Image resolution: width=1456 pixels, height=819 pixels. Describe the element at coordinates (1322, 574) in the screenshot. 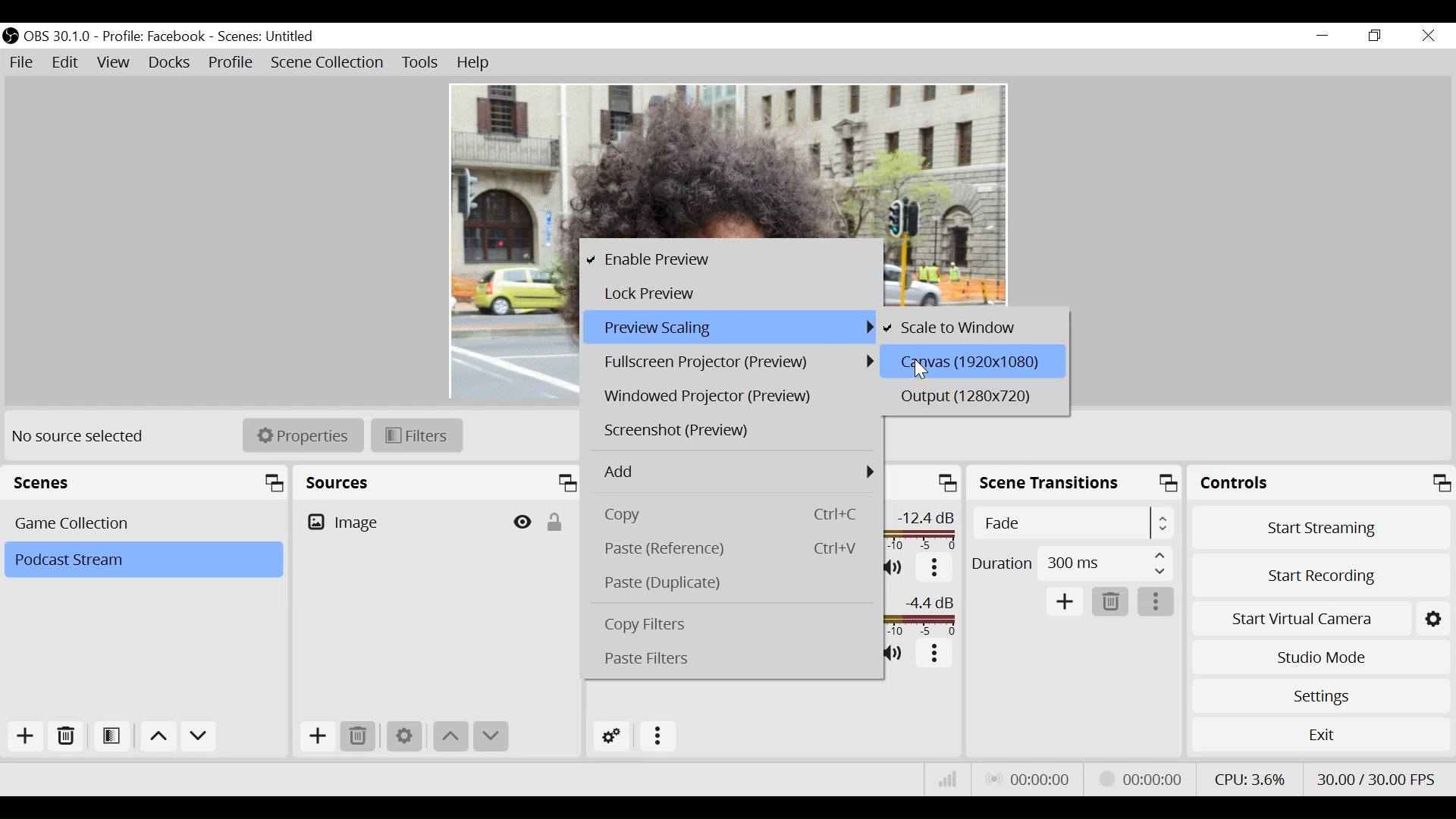

I see `Start Recording` at that location.